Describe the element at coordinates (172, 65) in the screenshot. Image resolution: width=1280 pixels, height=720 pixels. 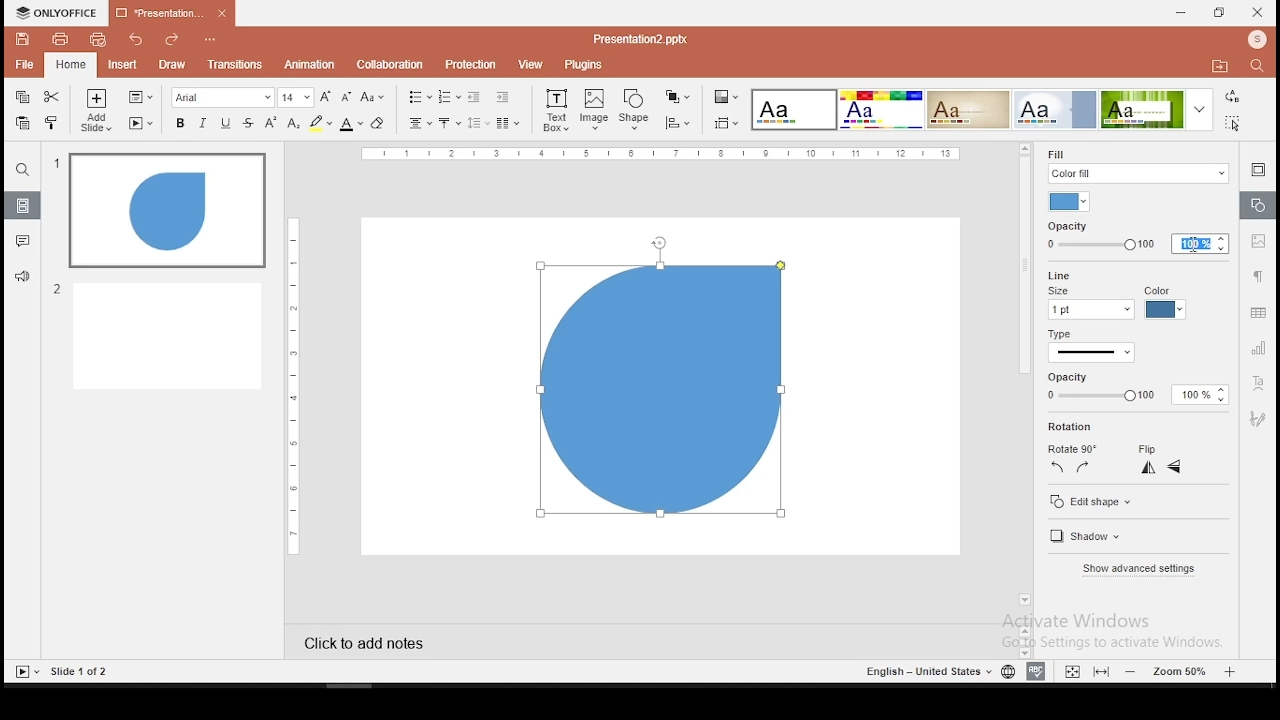
I see `draw` at that location.